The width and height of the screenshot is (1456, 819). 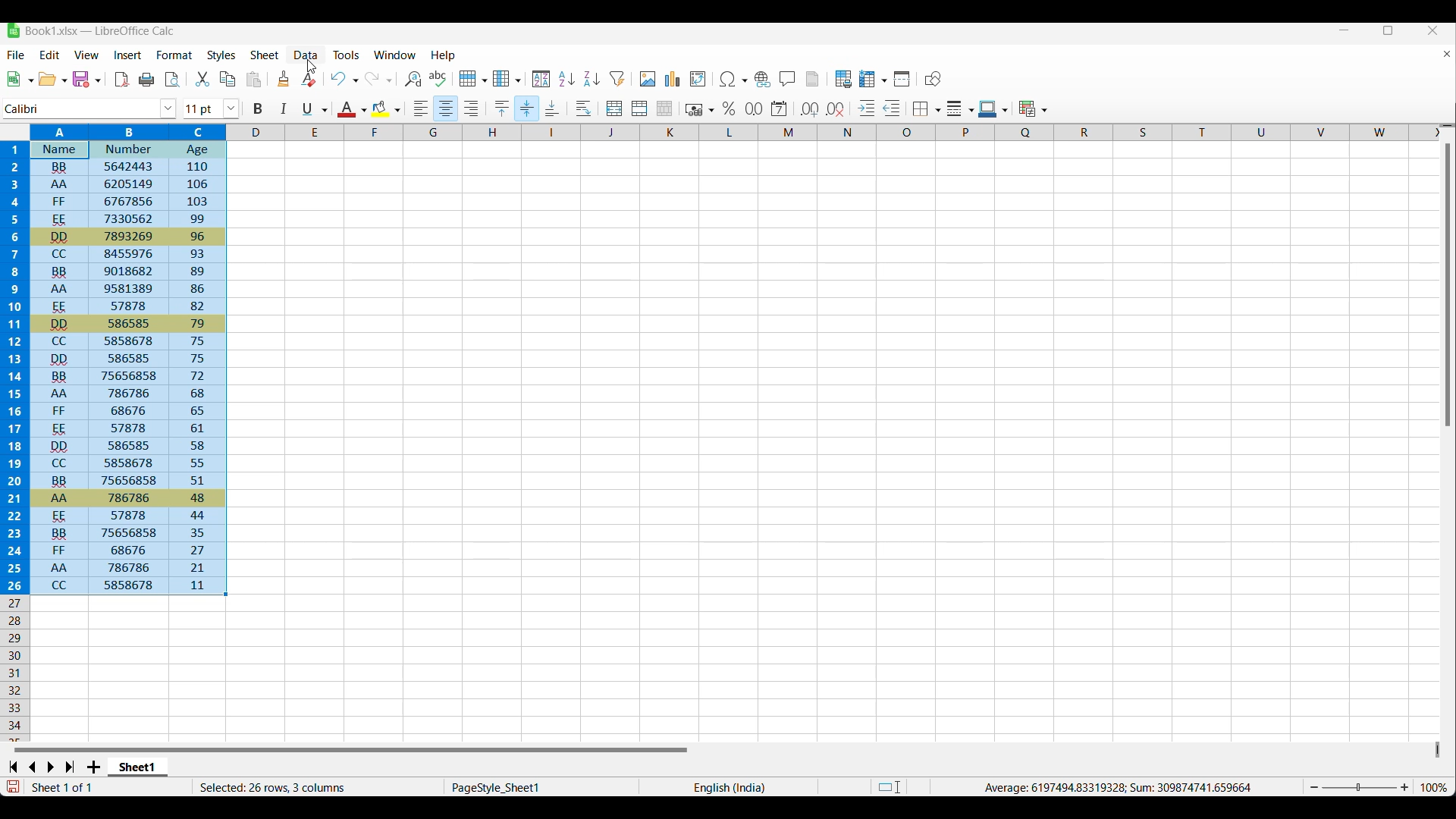 I want to click on Split window, so click(x=903, y=79).